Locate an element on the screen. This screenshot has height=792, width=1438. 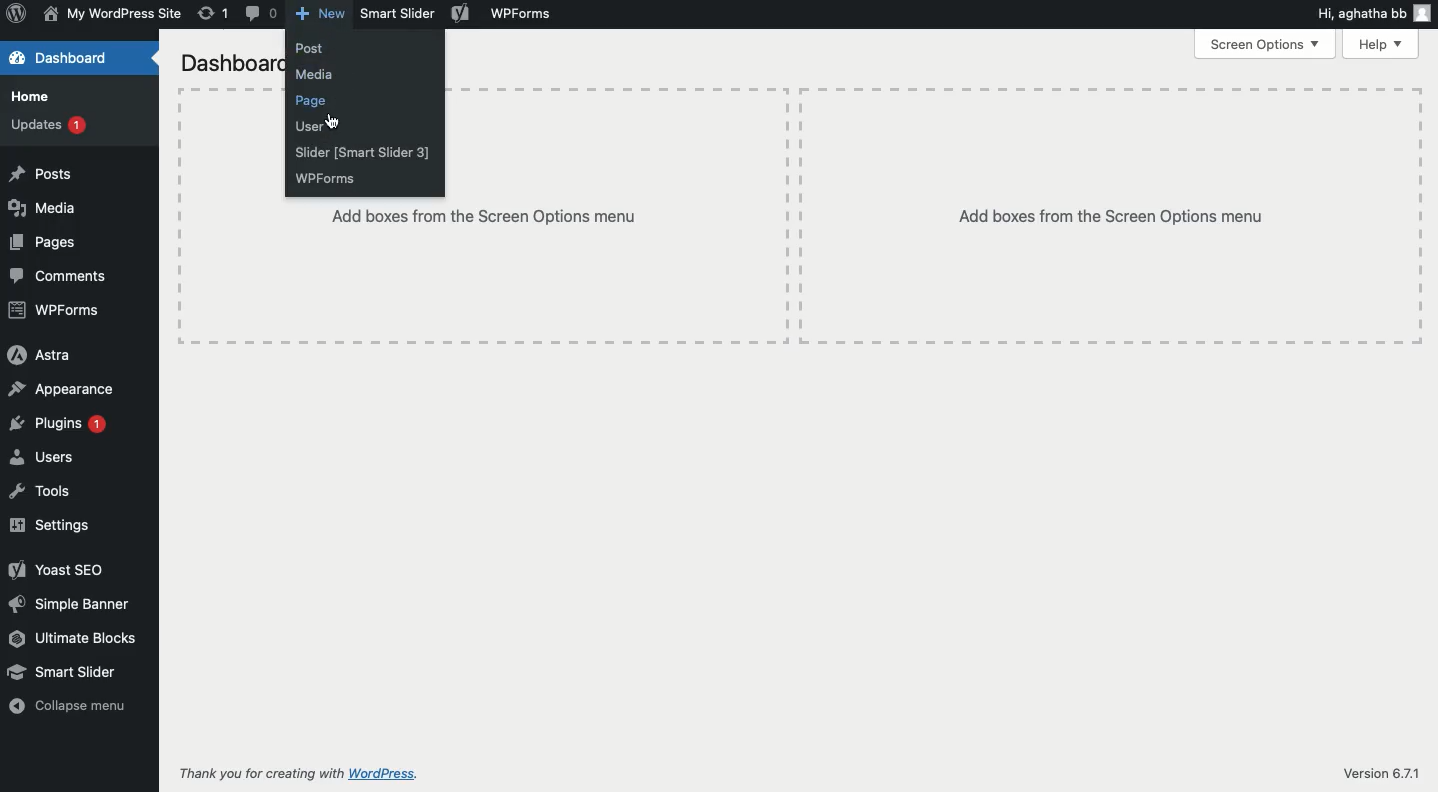
Ultimate blocks is located at coordinates (72, 641).